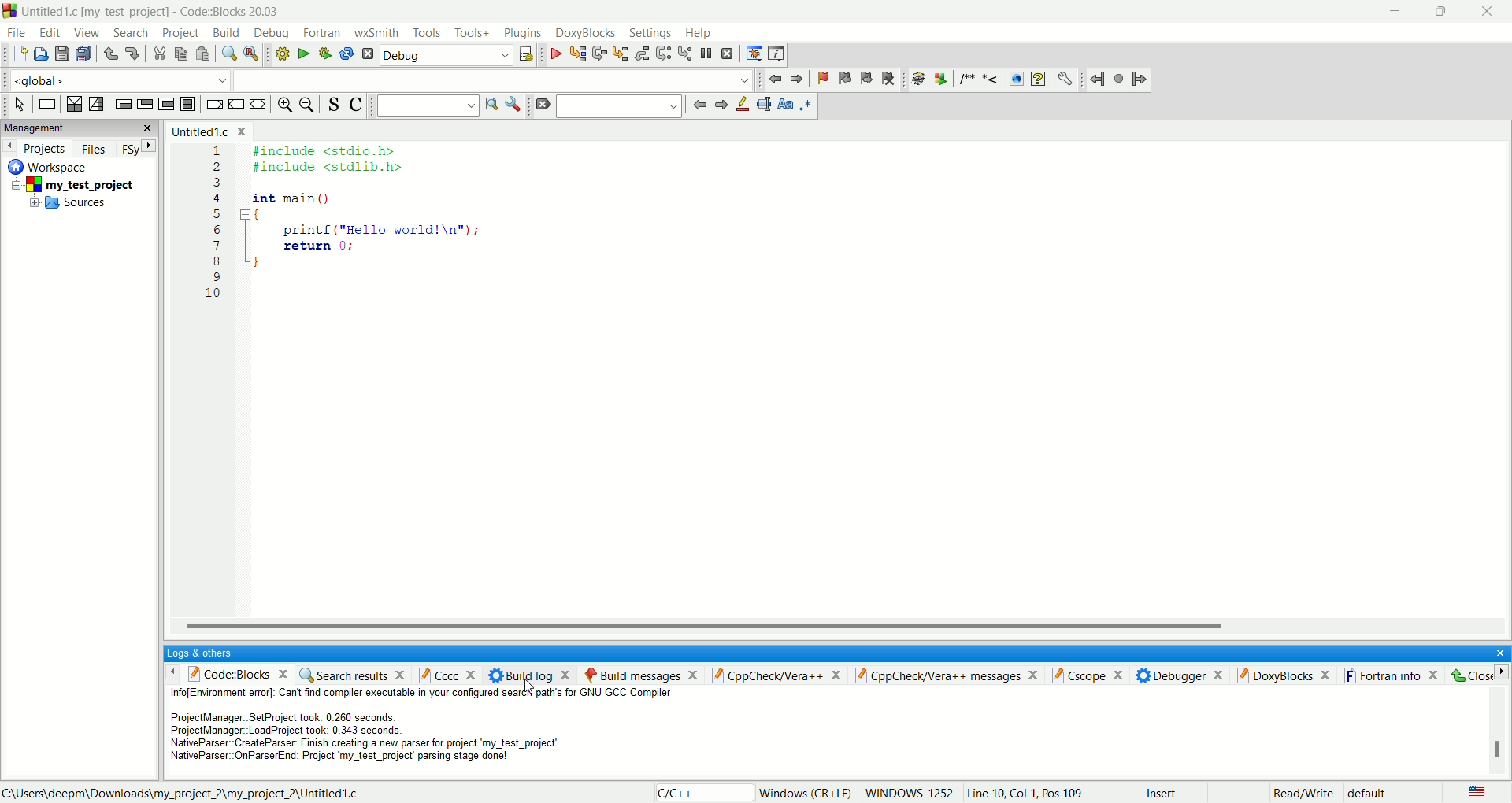  What do you see at coordinates (121, 103) in the screenshot?
I see `entry condition loop` at bounding box center [121, 103].